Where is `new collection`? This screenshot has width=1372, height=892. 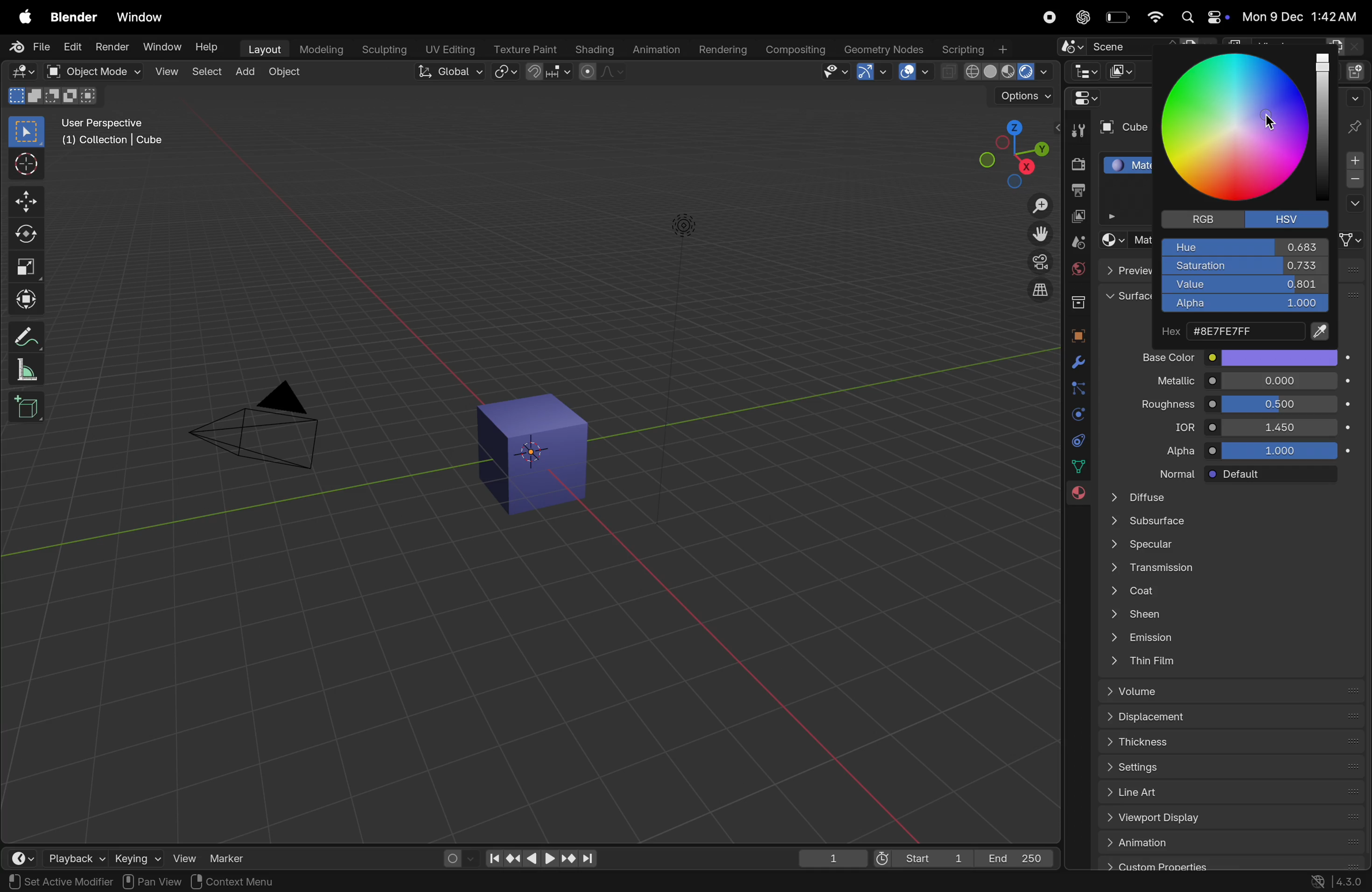 new collection is located at coordinates (1358, 70).